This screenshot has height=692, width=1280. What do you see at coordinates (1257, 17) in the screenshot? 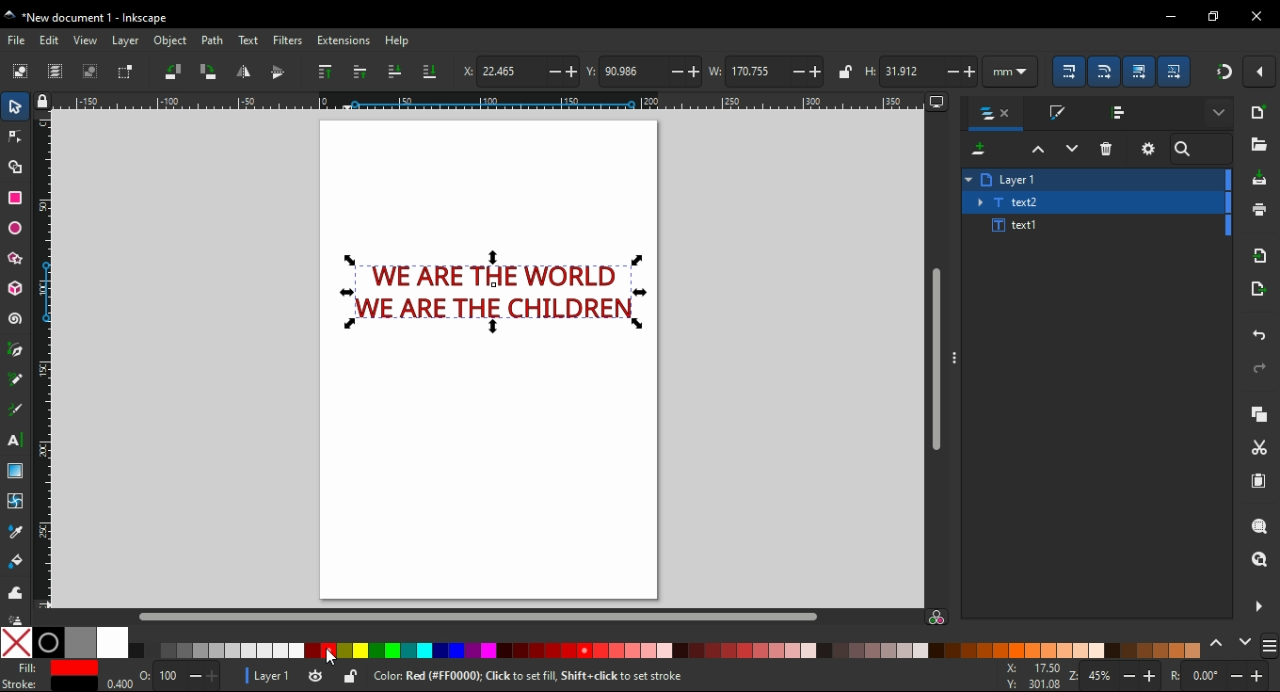
I see `close window` at bounding box center [1257, 17].